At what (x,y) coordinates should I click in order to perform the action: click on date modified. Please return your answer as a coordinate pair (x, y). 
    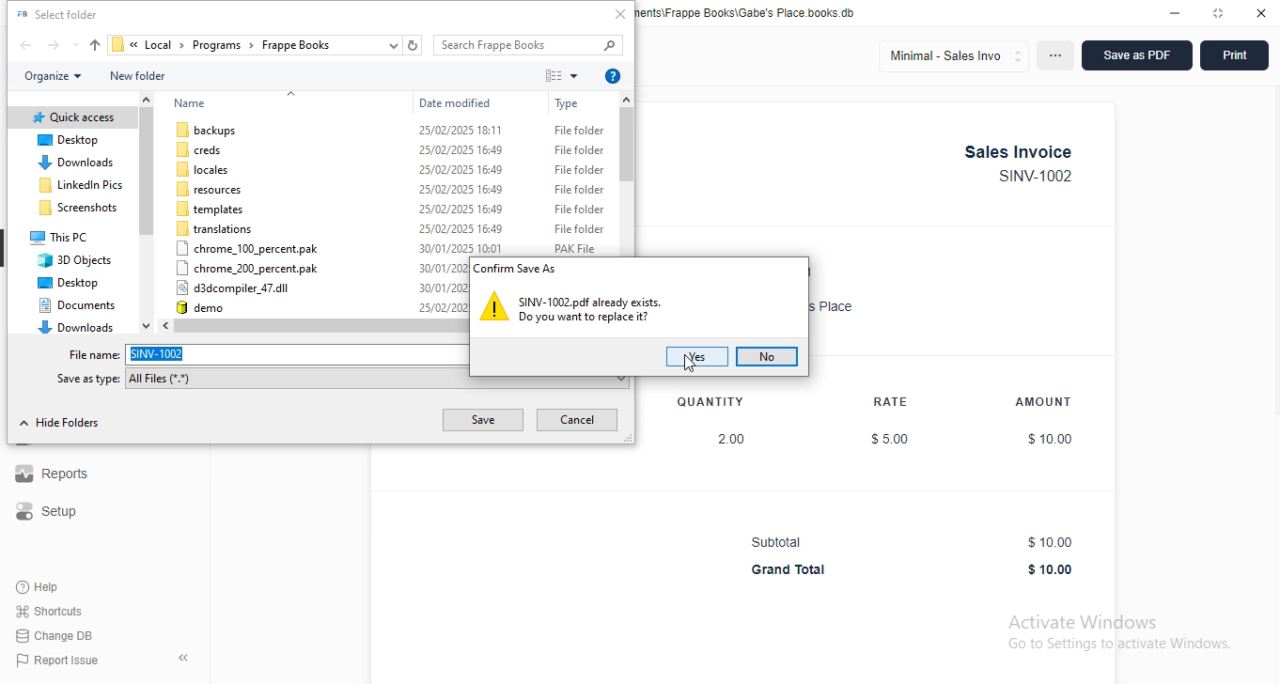
    Looking at the image, I should click on (455, 103).